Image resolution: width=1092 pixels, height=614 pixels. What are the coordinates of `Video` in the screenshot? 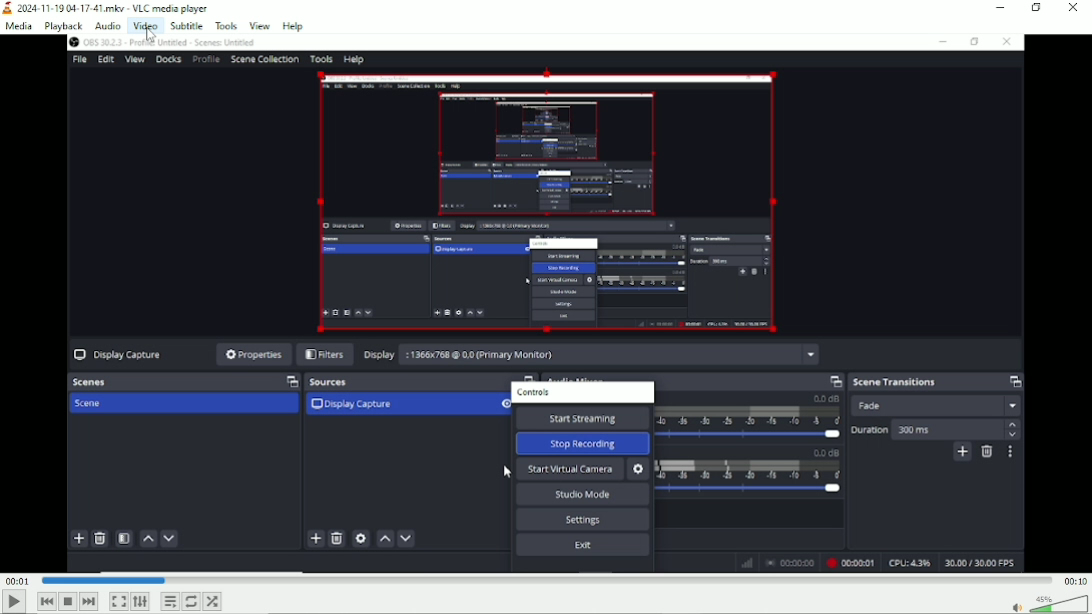 It's located at (547, 304).